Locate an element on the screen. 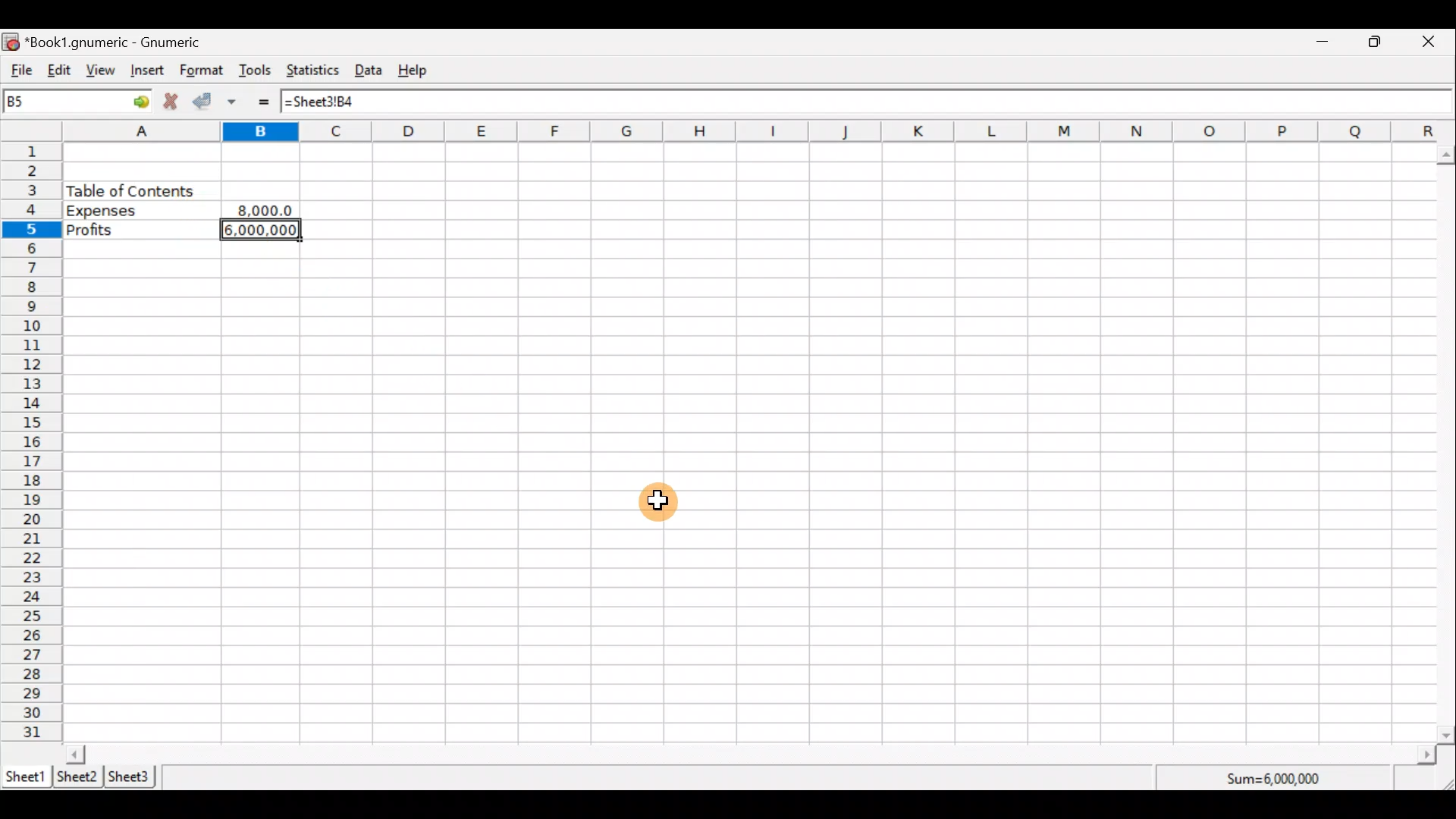 The width and height of the screenshot is (1456, 819). Accept change is located at coordinates (206, 102).